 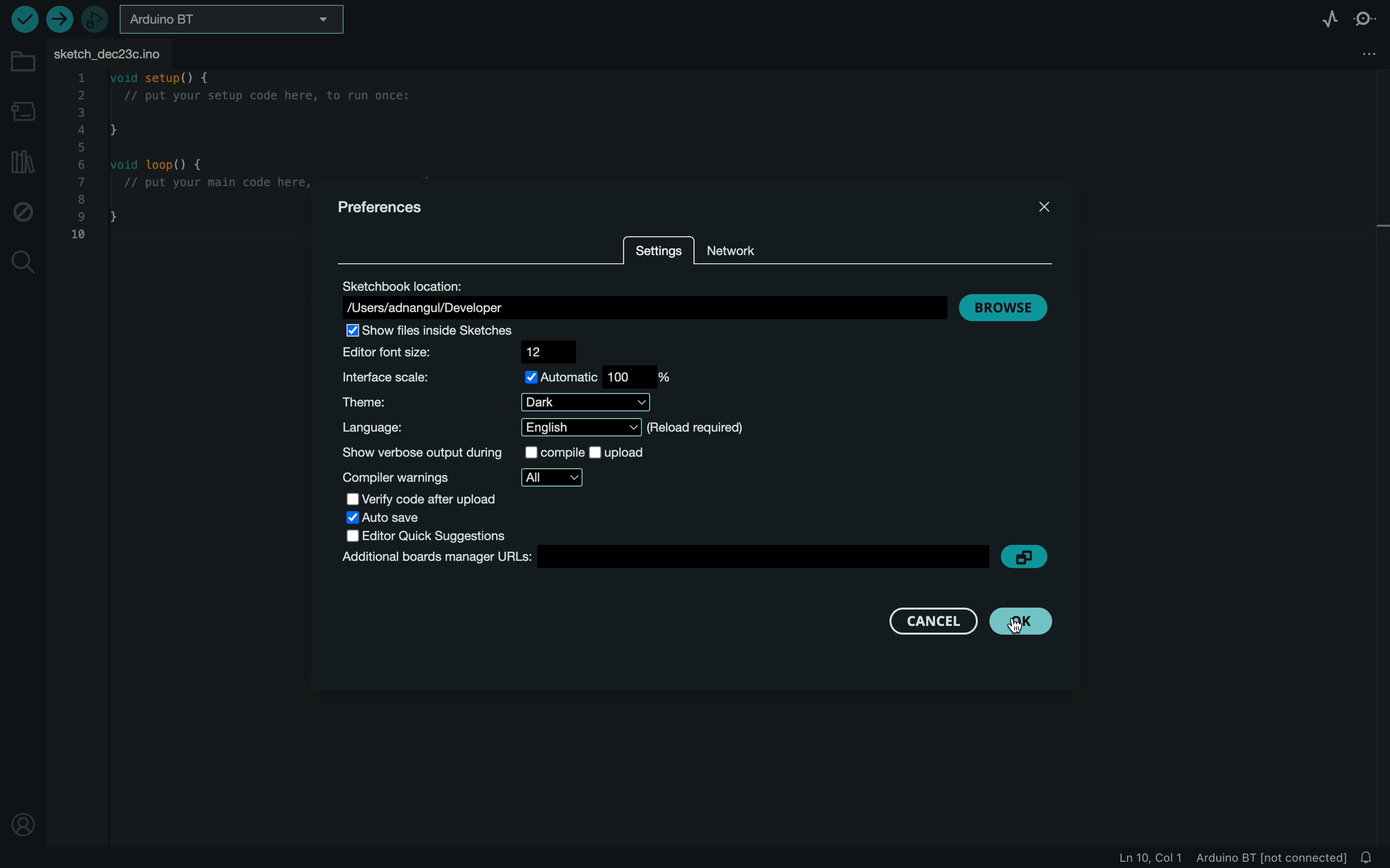 What do you see at coordinates (1005, 307) in the screenshot?
I see `browse` at bounding box center [1005, 307].